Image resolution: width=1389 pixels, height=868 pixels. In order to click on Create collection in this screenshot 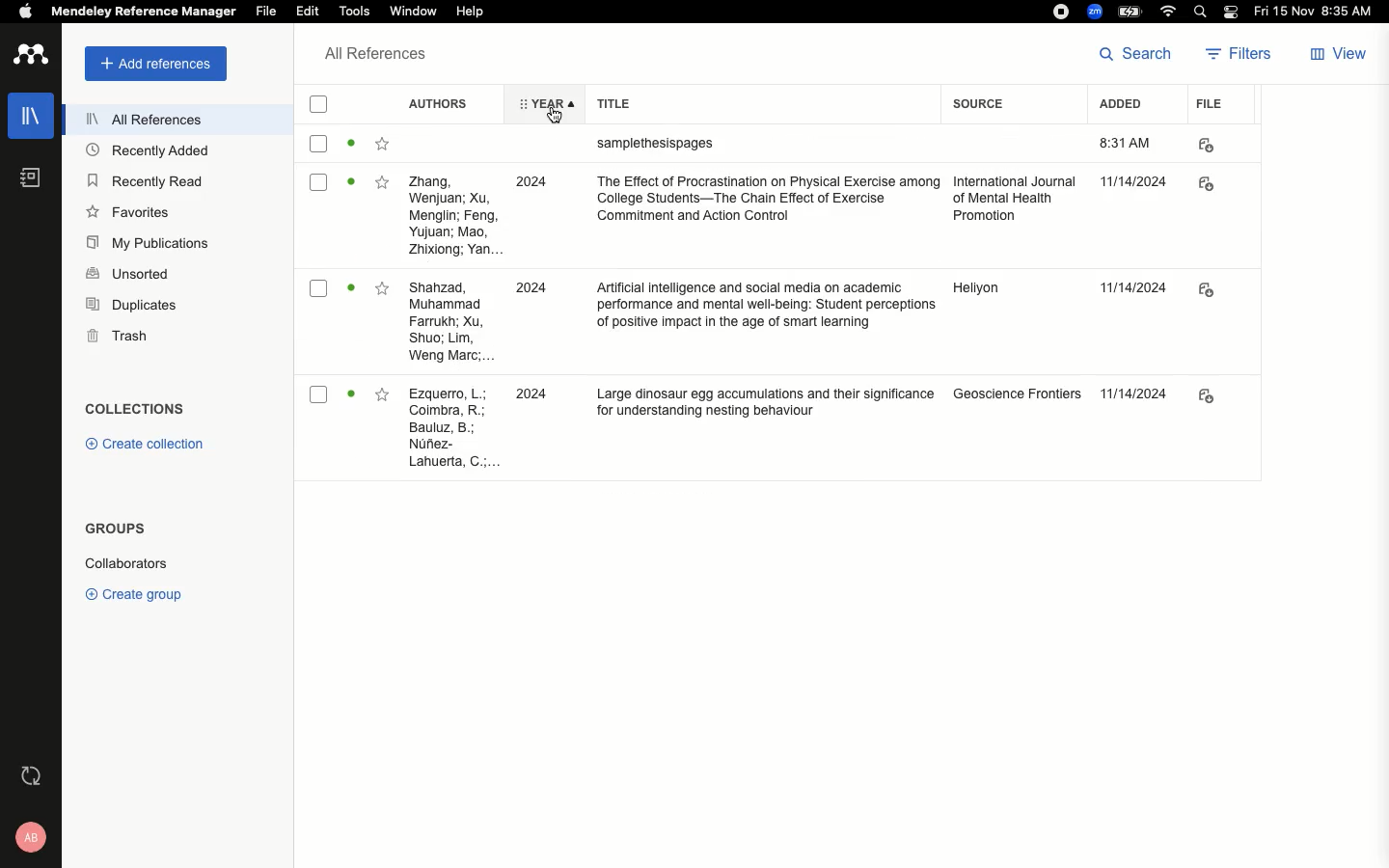, I will do `click(147, 446)`.